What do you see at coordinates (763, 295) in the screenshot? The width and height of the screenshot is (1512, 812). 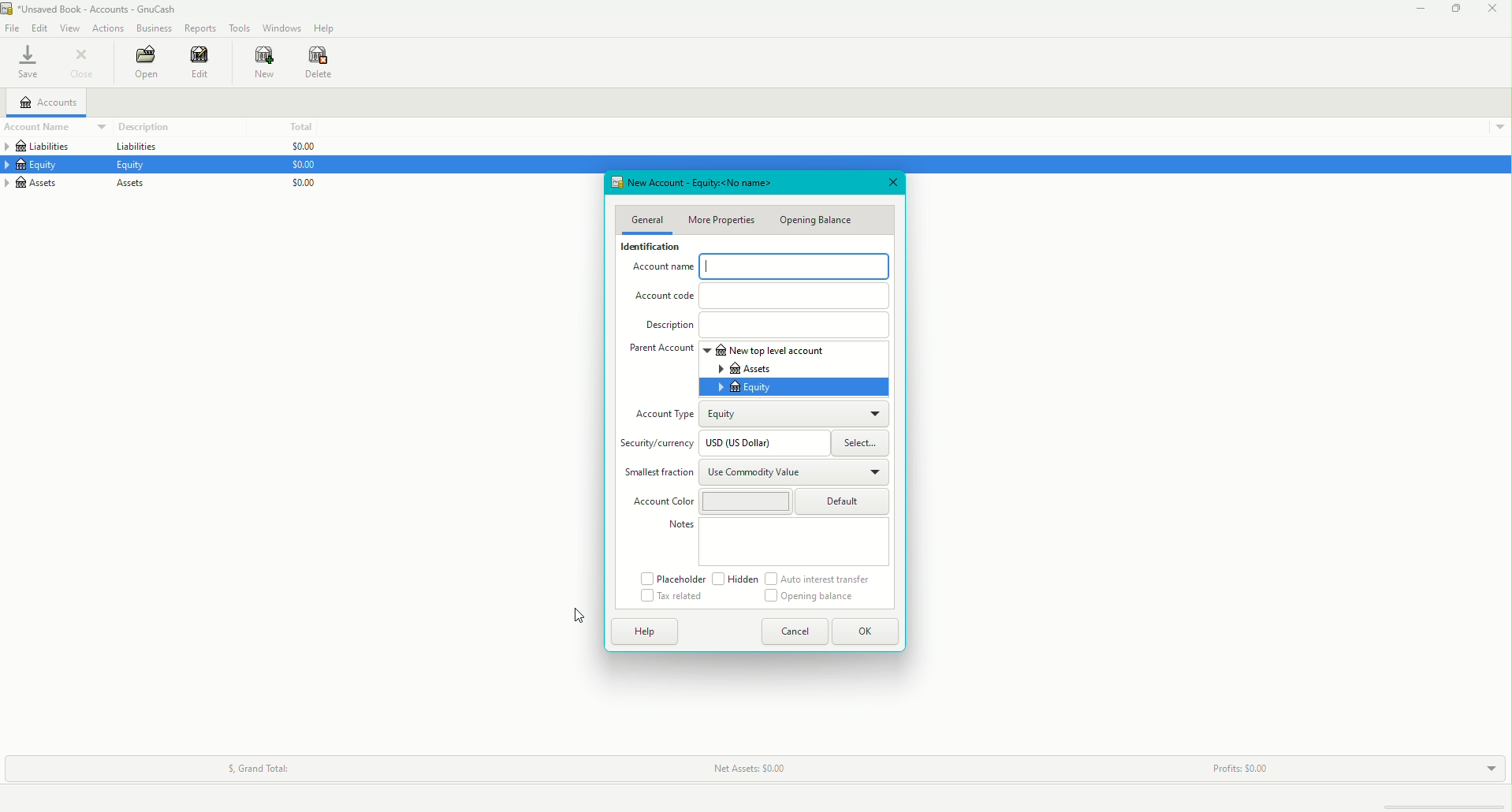 I see `Account Code` at bounding box center [763, 295].